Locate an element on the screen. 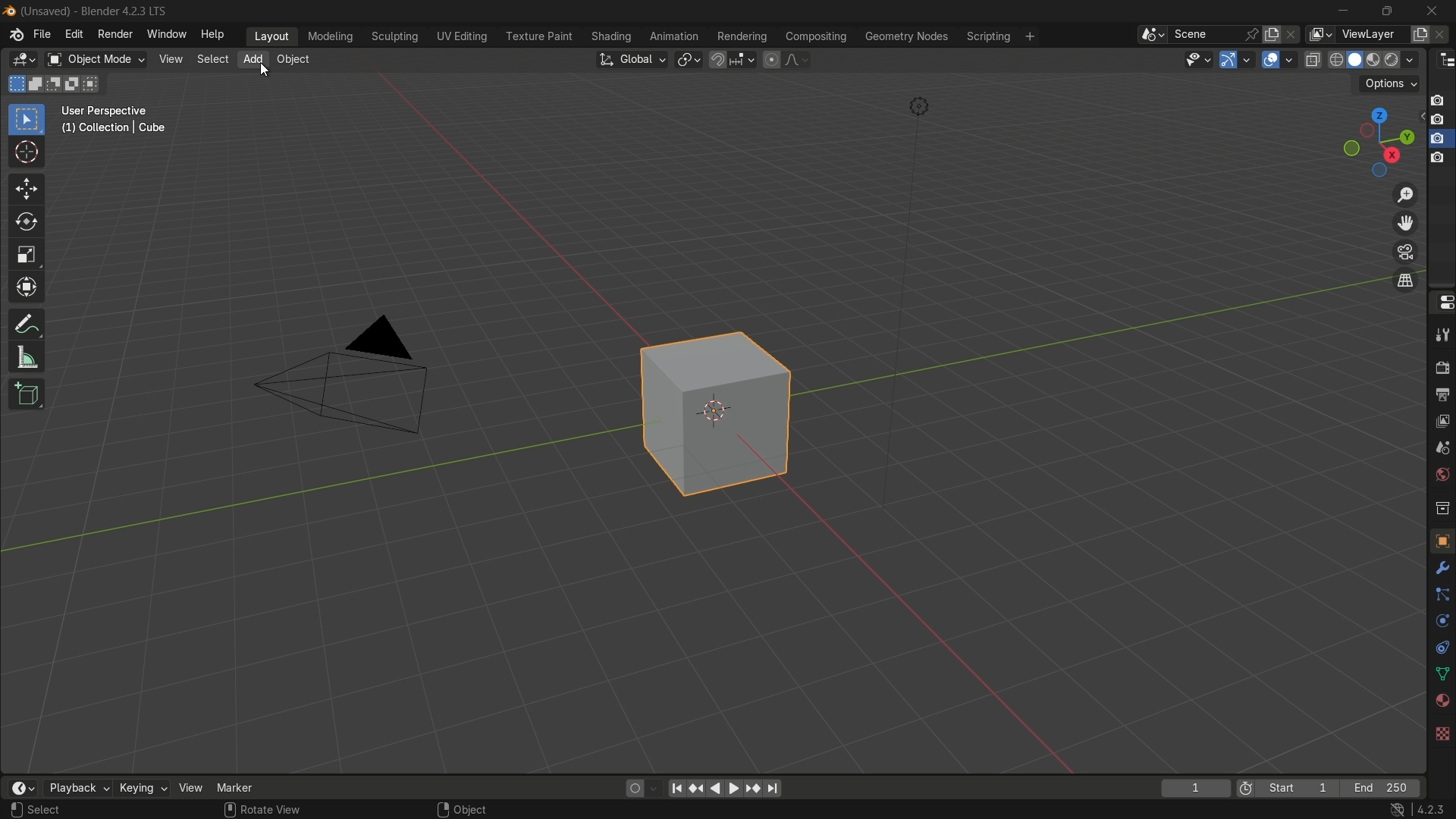 The height and width of the screenshot is (819, 1456). select is located at coordinates (47, 810).